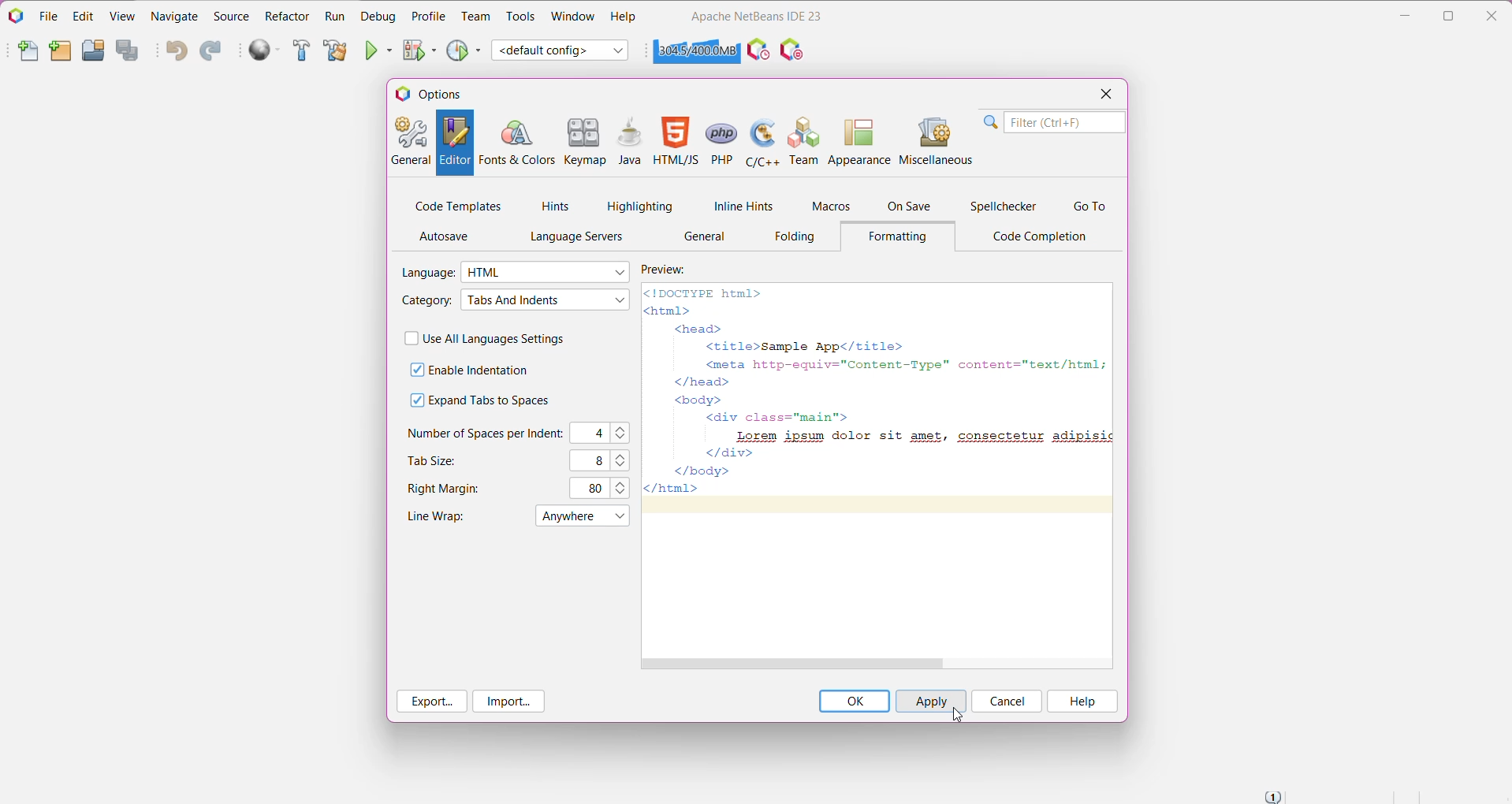 The width and height of the screenshot is (1512, 804). Describe the element at coordinates (420, 50) in the screenshot. I see `Debug Project` at that location.